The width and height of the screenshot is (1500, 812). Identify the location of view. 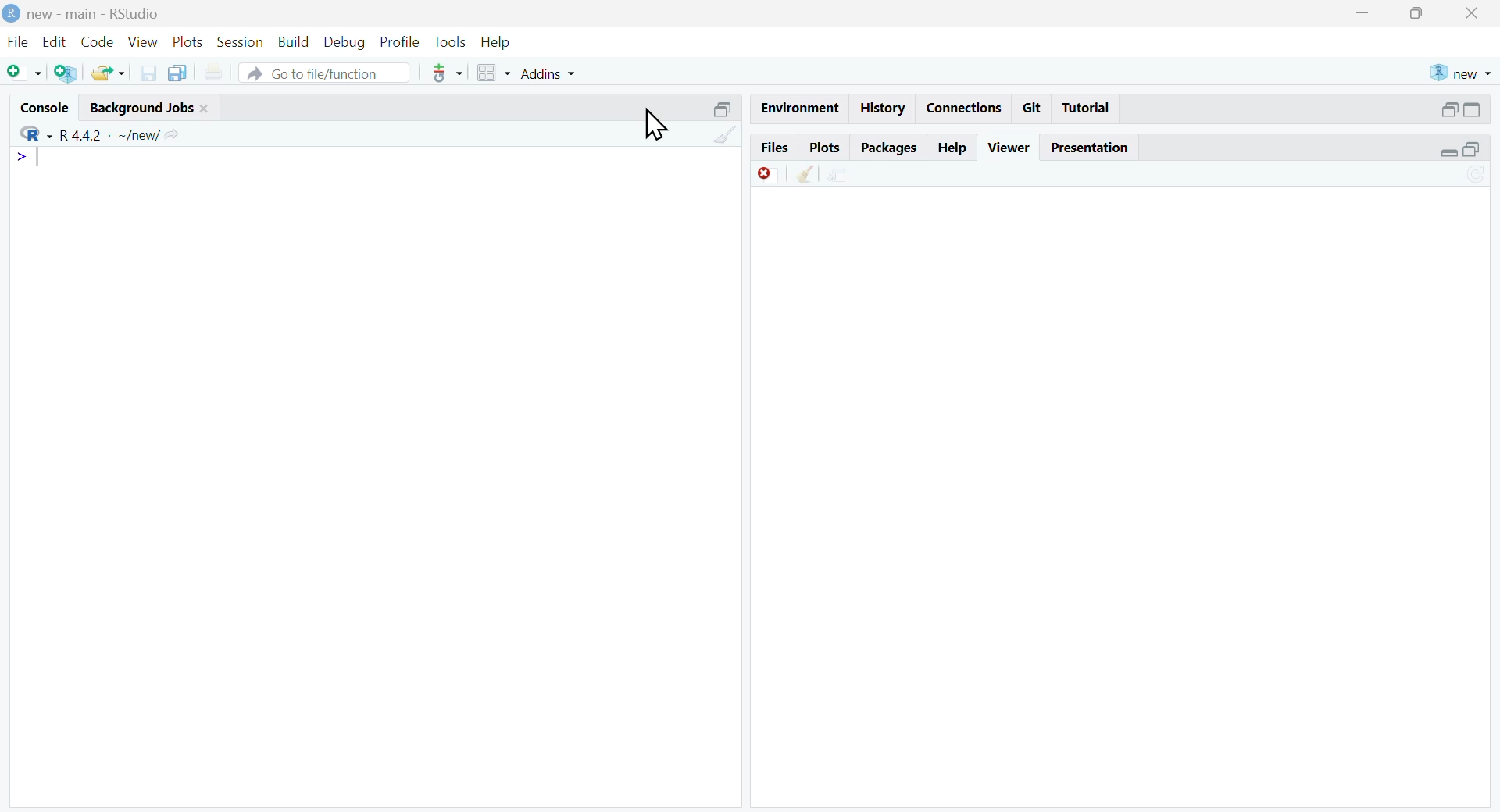
(144, 42).